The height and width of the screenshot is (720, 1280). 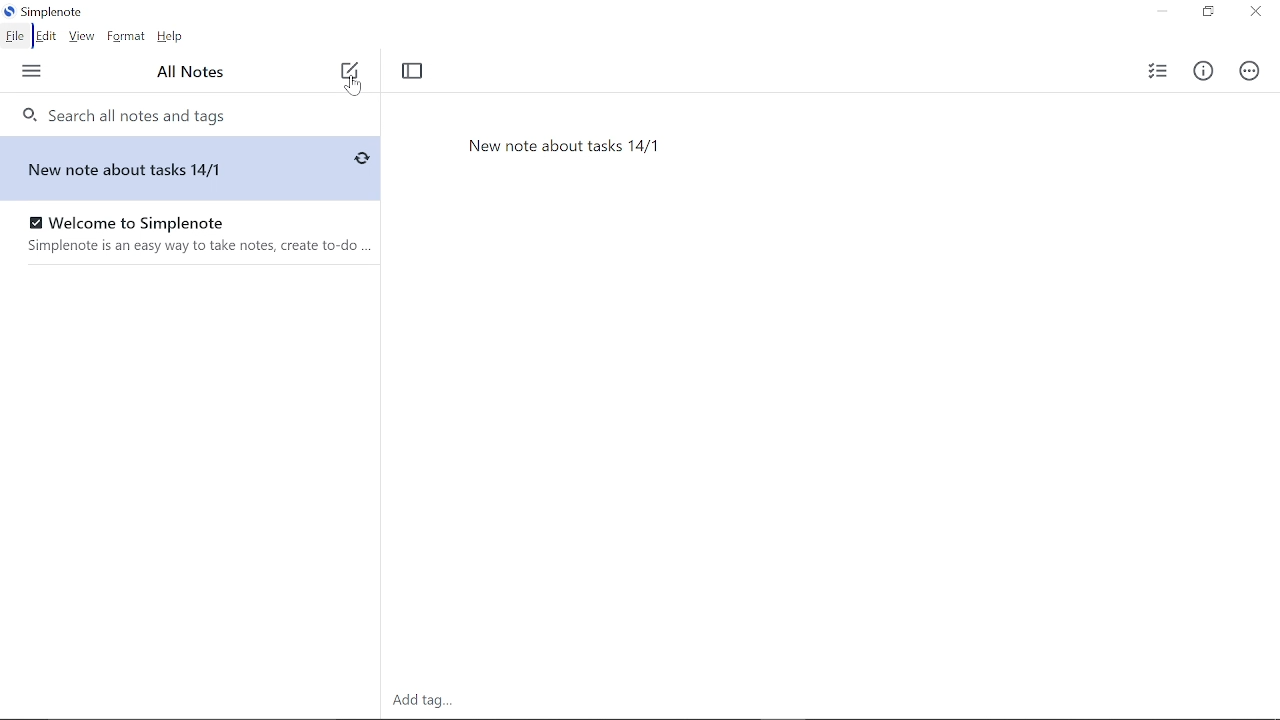 What do you see at coordinates (1254, 13) in the screenshot?
I see `Close` at bounding box center [1254, 13].